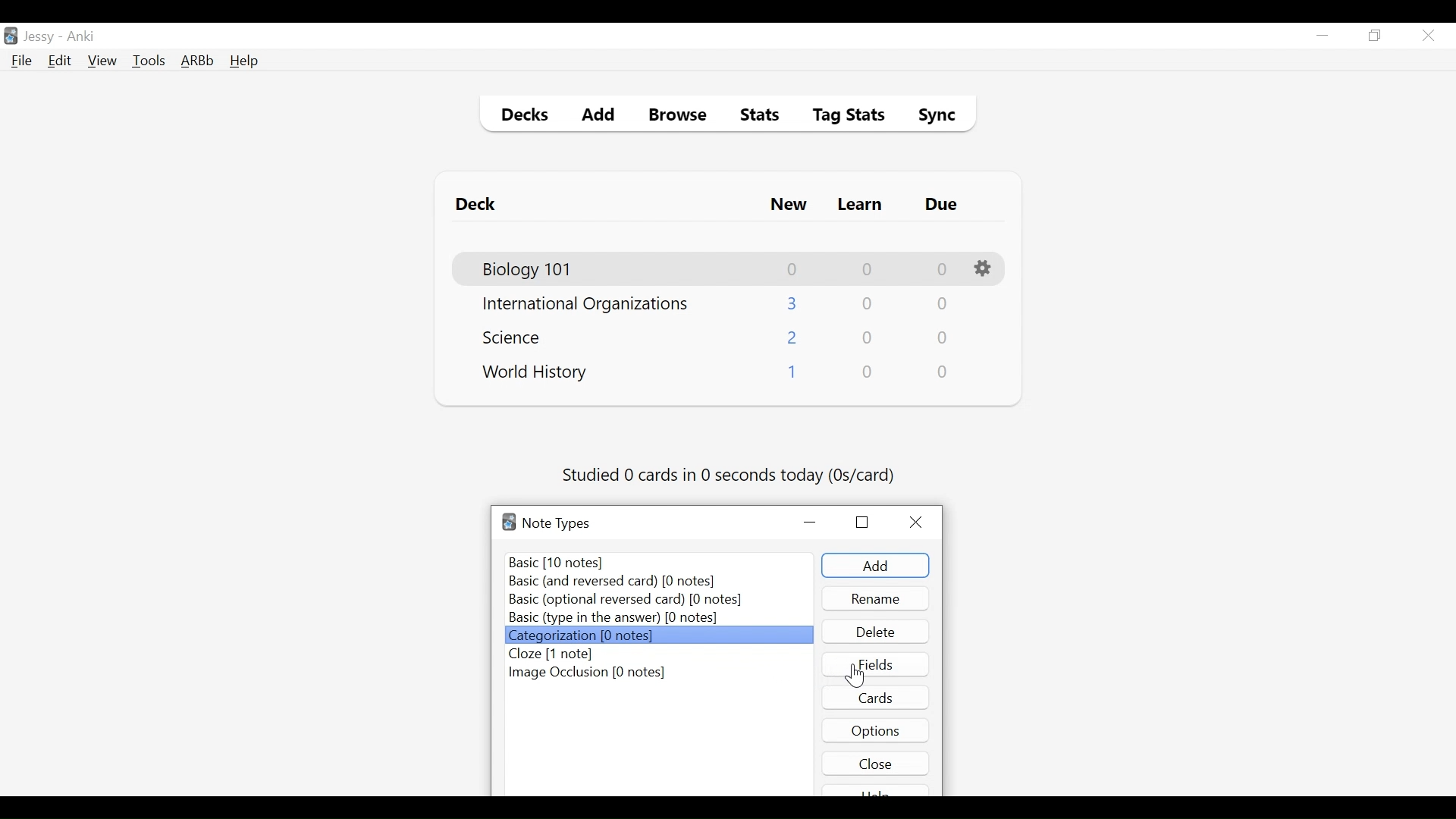 This screenshot has height=819, width=1456. I want to click on New Card Count, so click(793, 303).